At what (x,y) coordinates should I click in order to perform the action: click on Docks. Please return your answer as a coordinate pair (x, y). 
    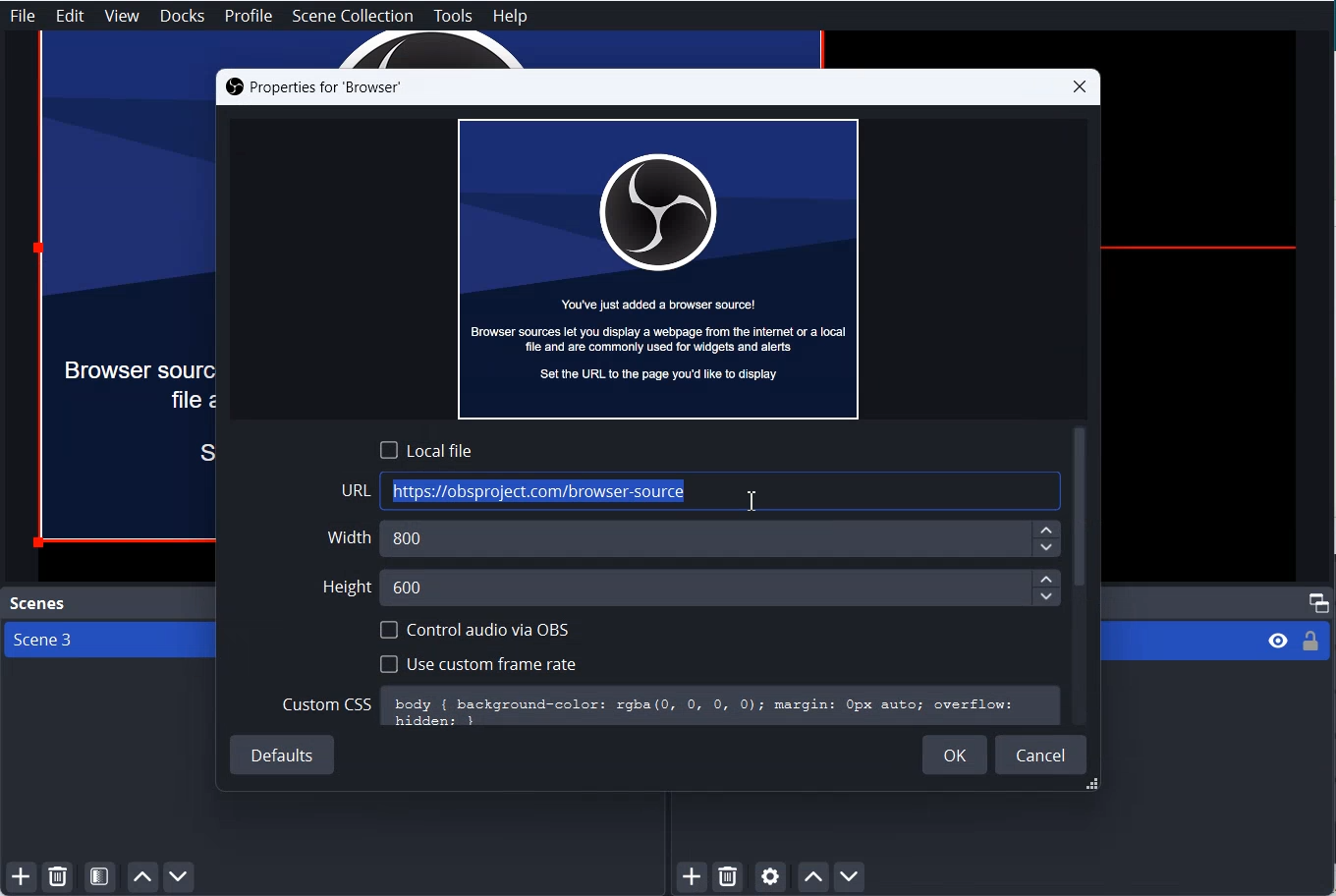
    Looking at the image, I should click on (183, 16).